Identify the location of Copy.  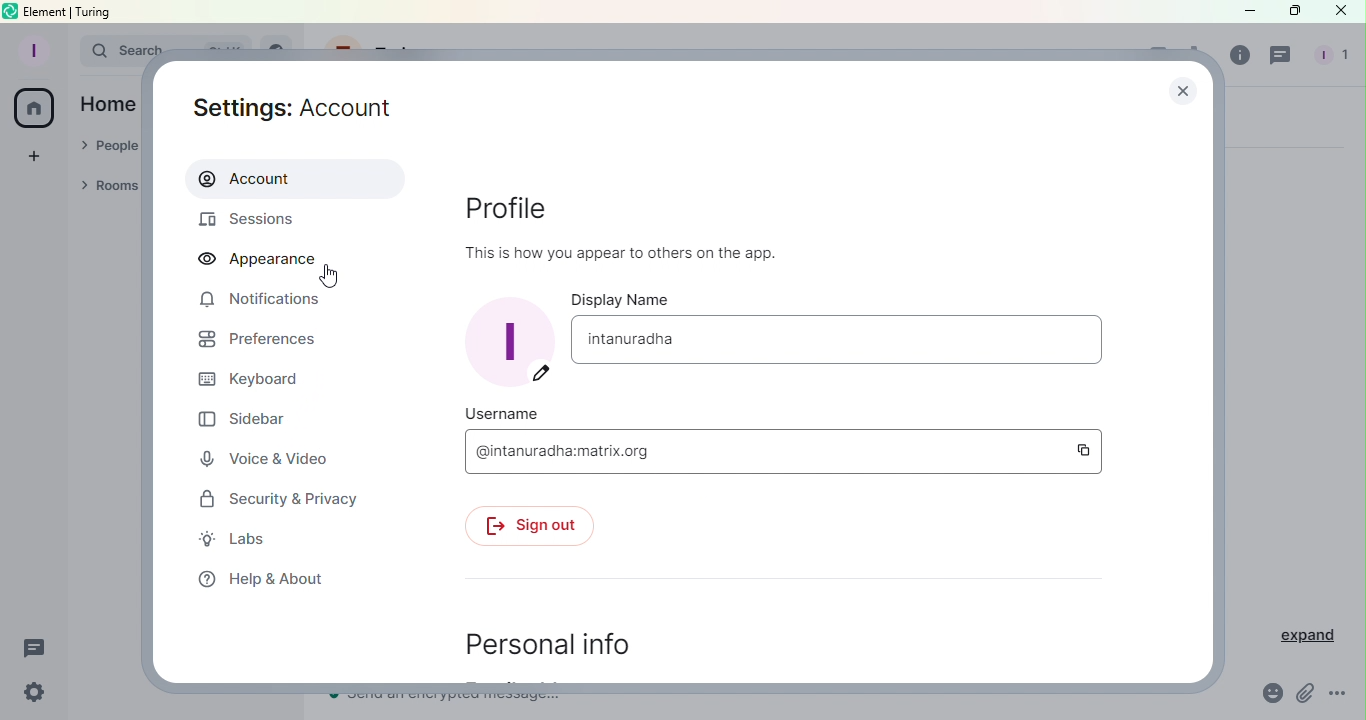
(1087, 450).